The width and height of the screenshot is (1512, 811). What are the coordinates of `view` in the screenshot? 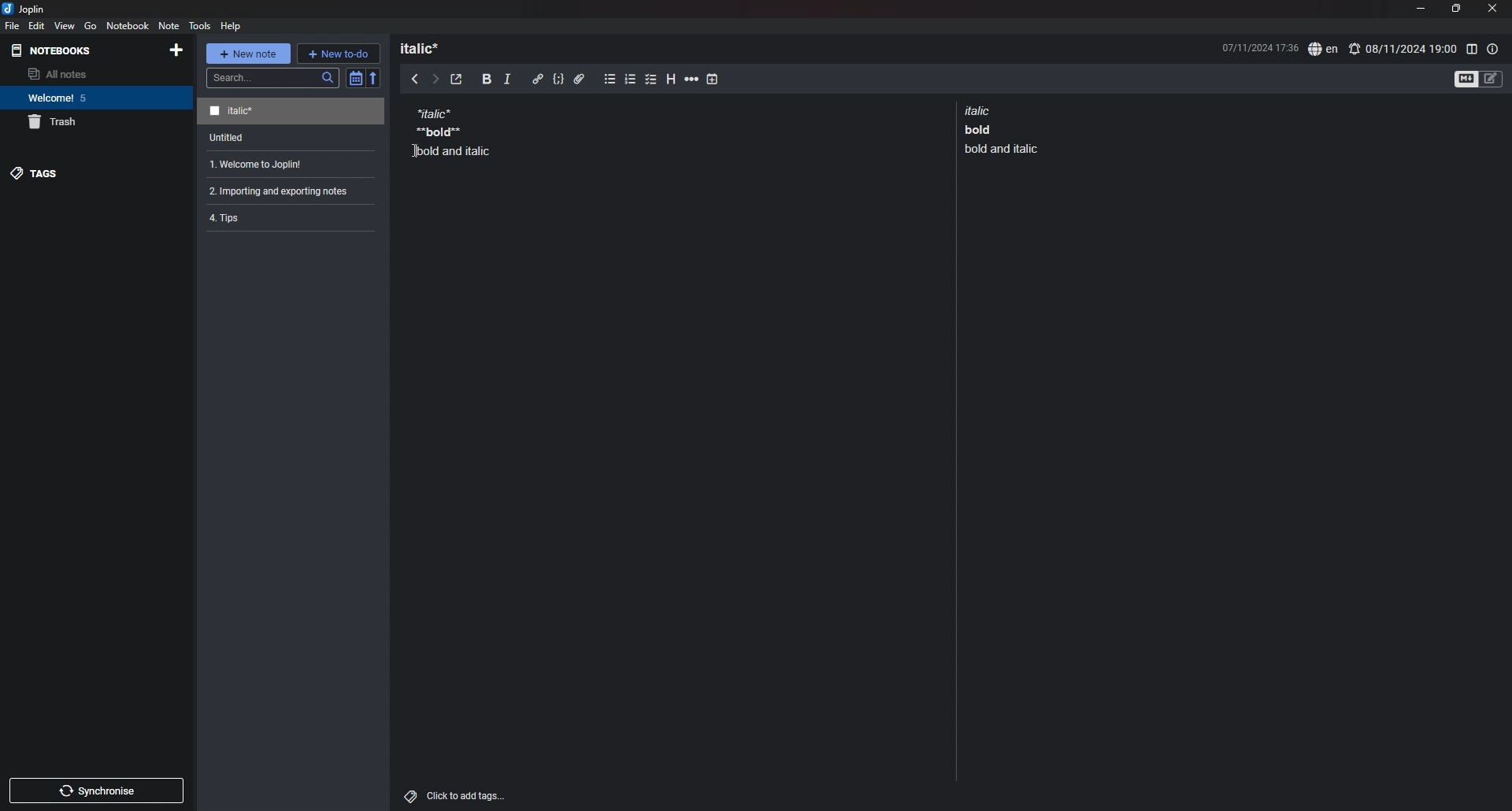 It's located at (65, 25).